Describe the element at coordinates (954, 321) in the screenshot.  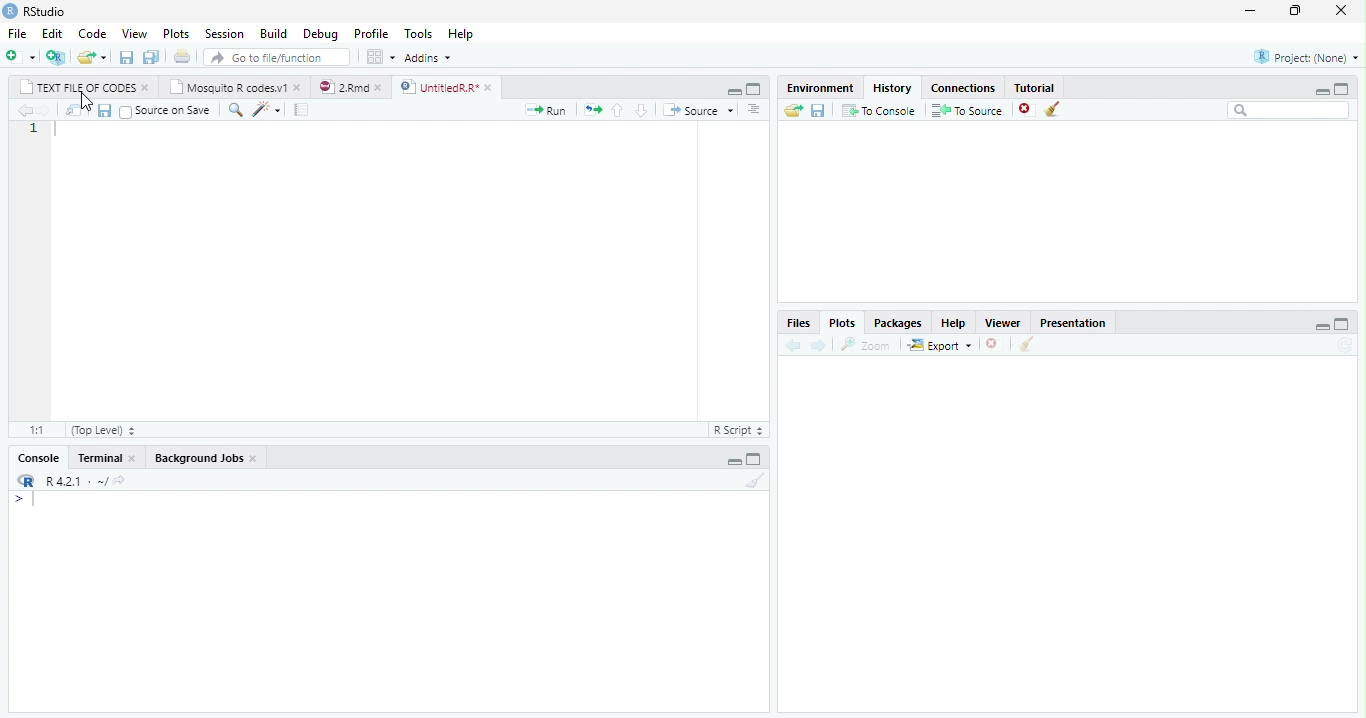
I see `help` at that location.